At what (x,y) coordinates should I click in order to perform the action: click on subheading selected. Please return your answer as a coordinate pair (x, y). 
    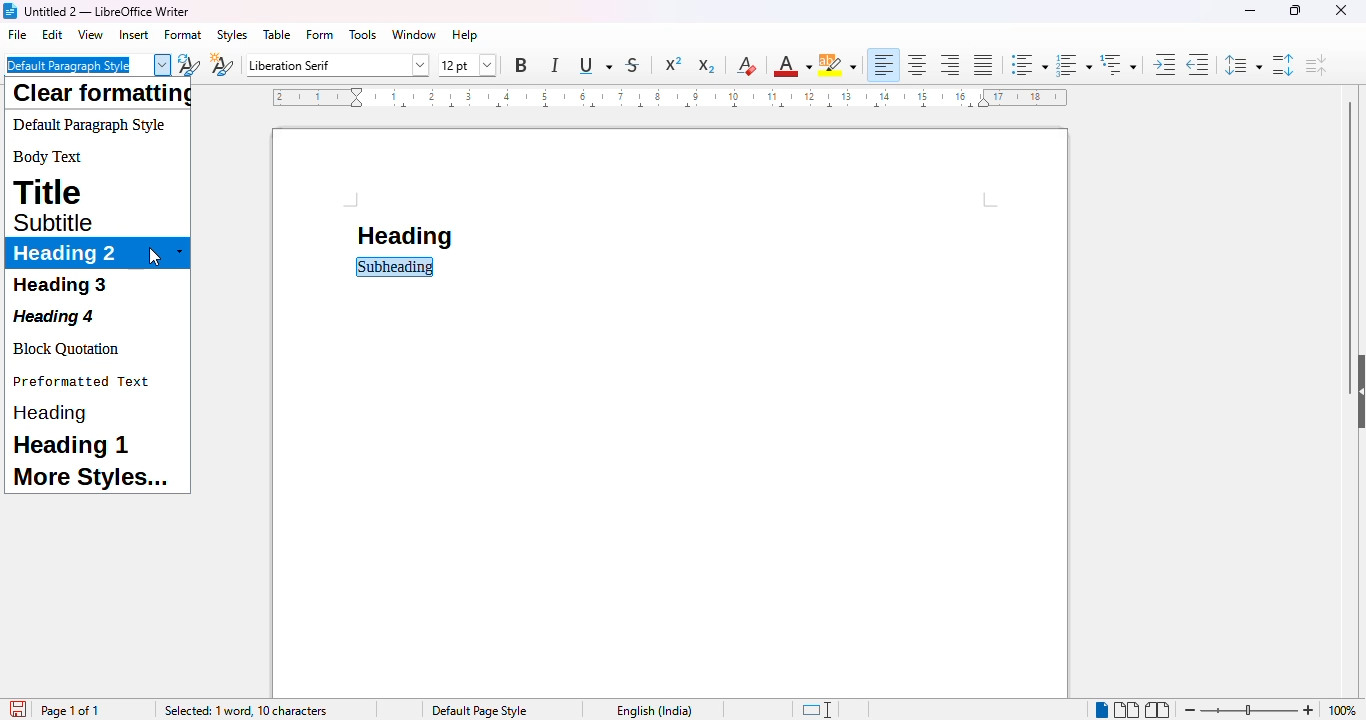
    Looking at the image, I should click on (396, 267).